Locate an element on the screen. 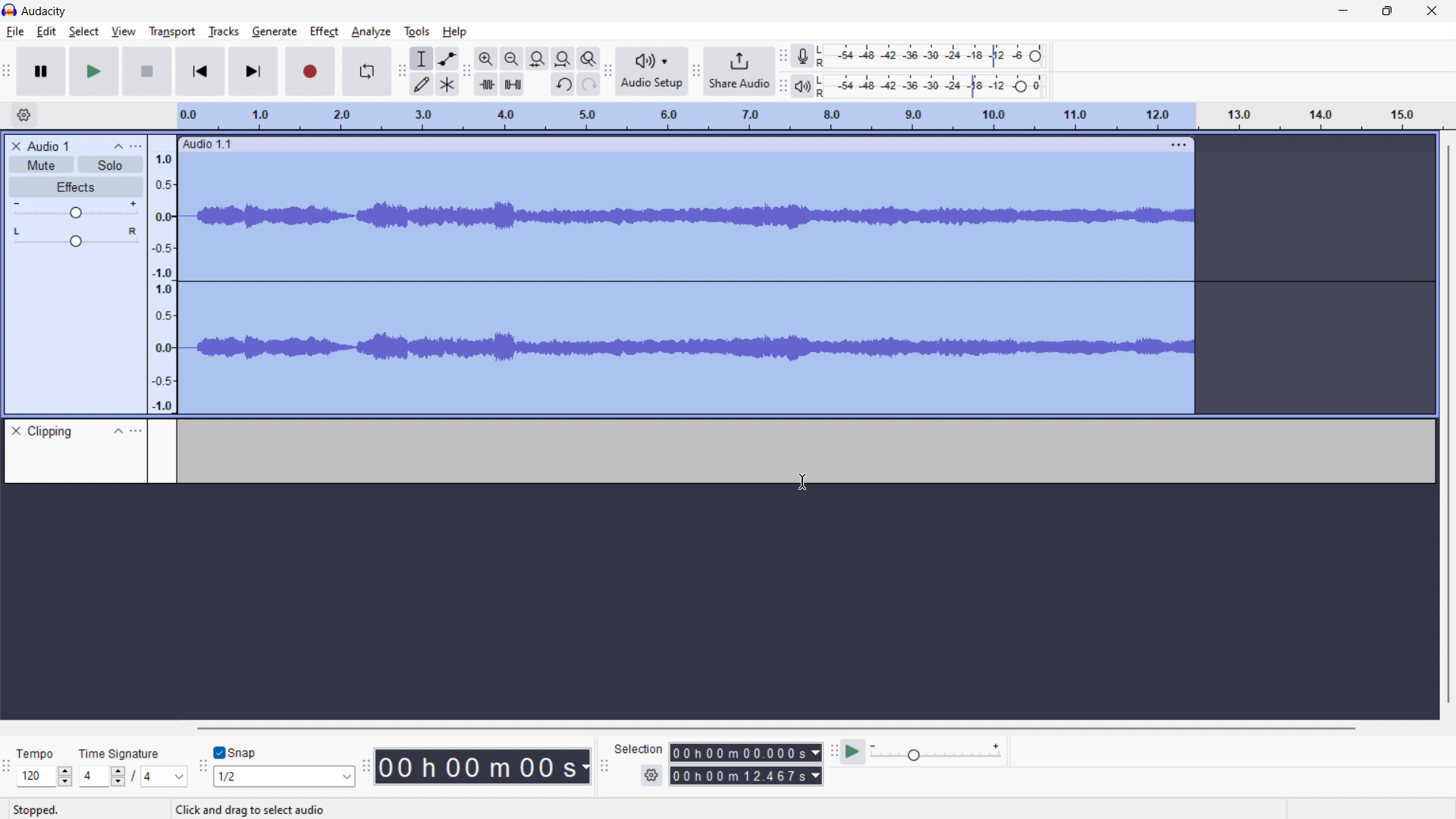 The width and height of the screenshot is (1456, 819). zoom in is located at coordinates (486, 58).